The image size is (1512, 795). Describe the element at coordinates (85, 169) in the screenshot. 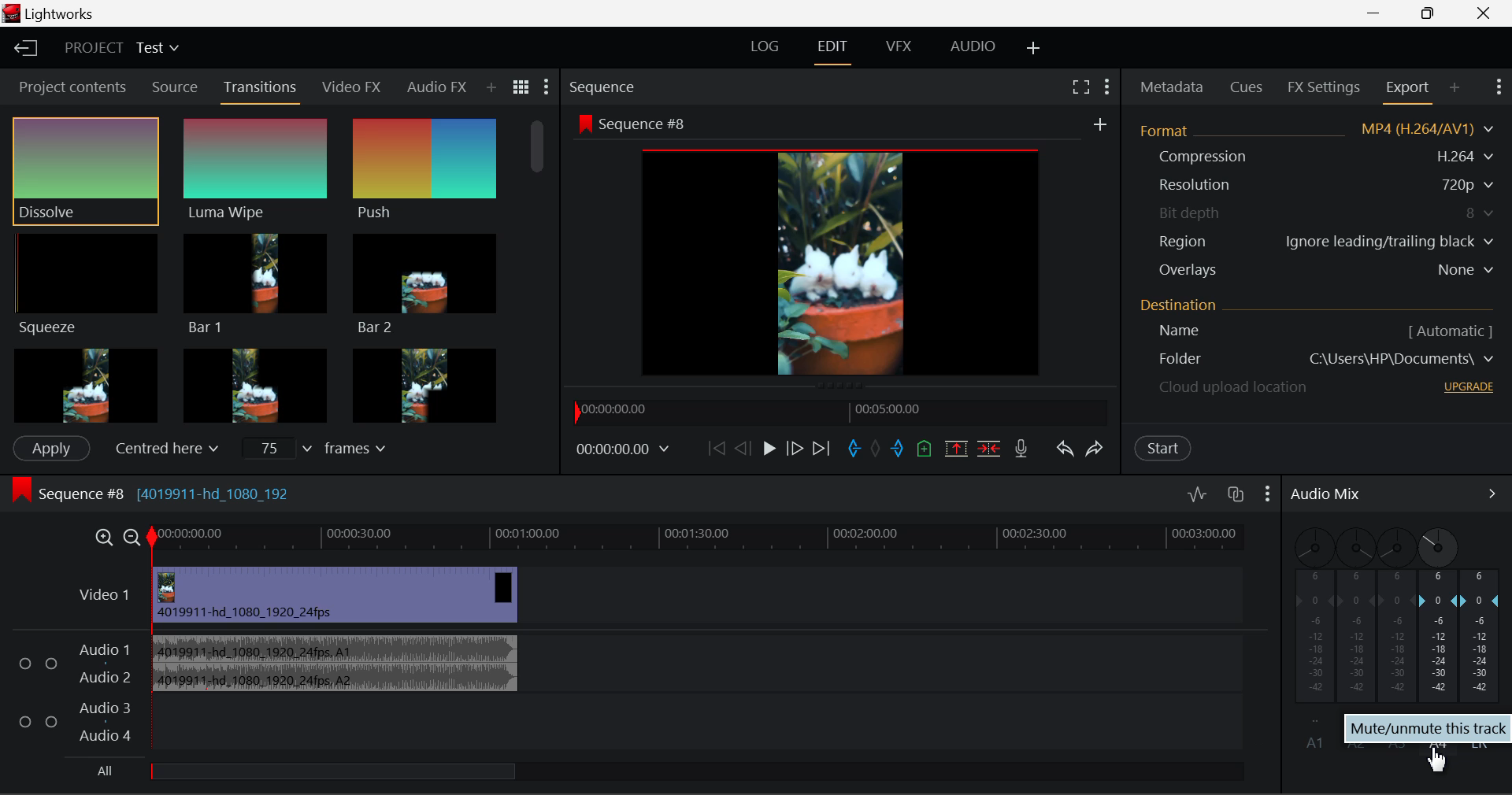

I see `Dissolve` at that location.